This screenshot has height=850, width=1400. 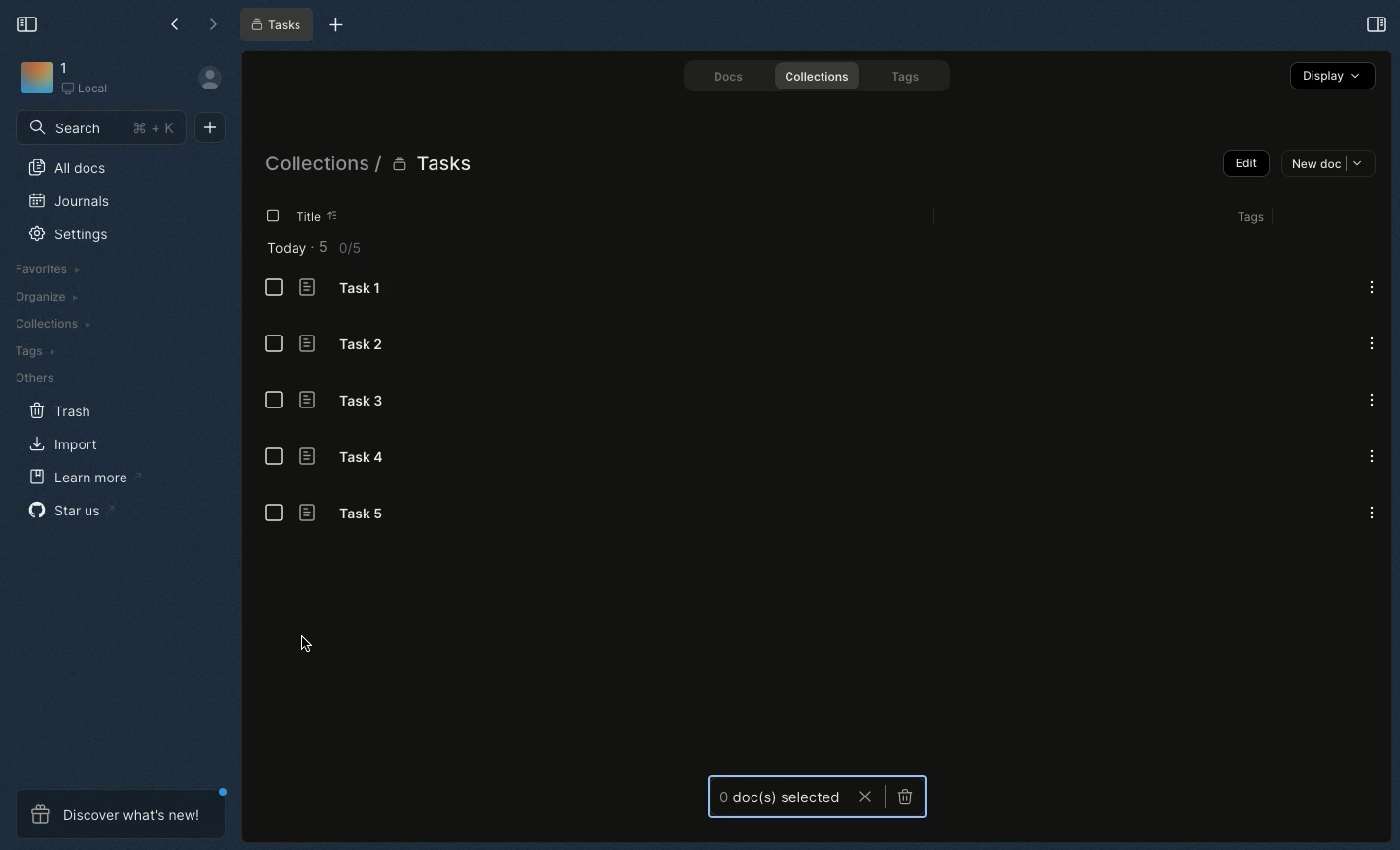 I want to click on Edit, so click(x=1246, y=164).